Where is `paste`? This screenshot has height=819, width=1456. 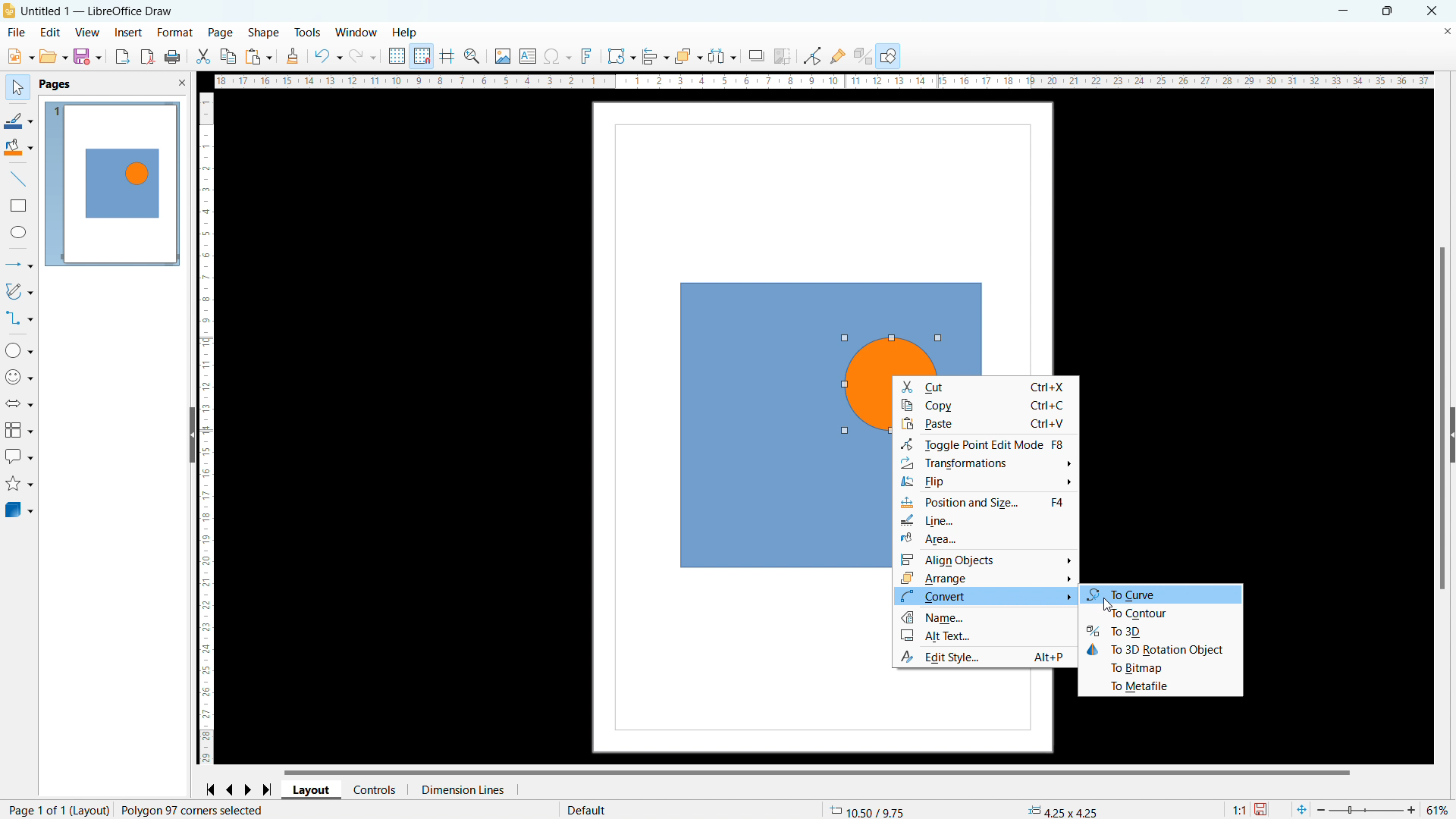 paste is located at coordinates (984, 424).